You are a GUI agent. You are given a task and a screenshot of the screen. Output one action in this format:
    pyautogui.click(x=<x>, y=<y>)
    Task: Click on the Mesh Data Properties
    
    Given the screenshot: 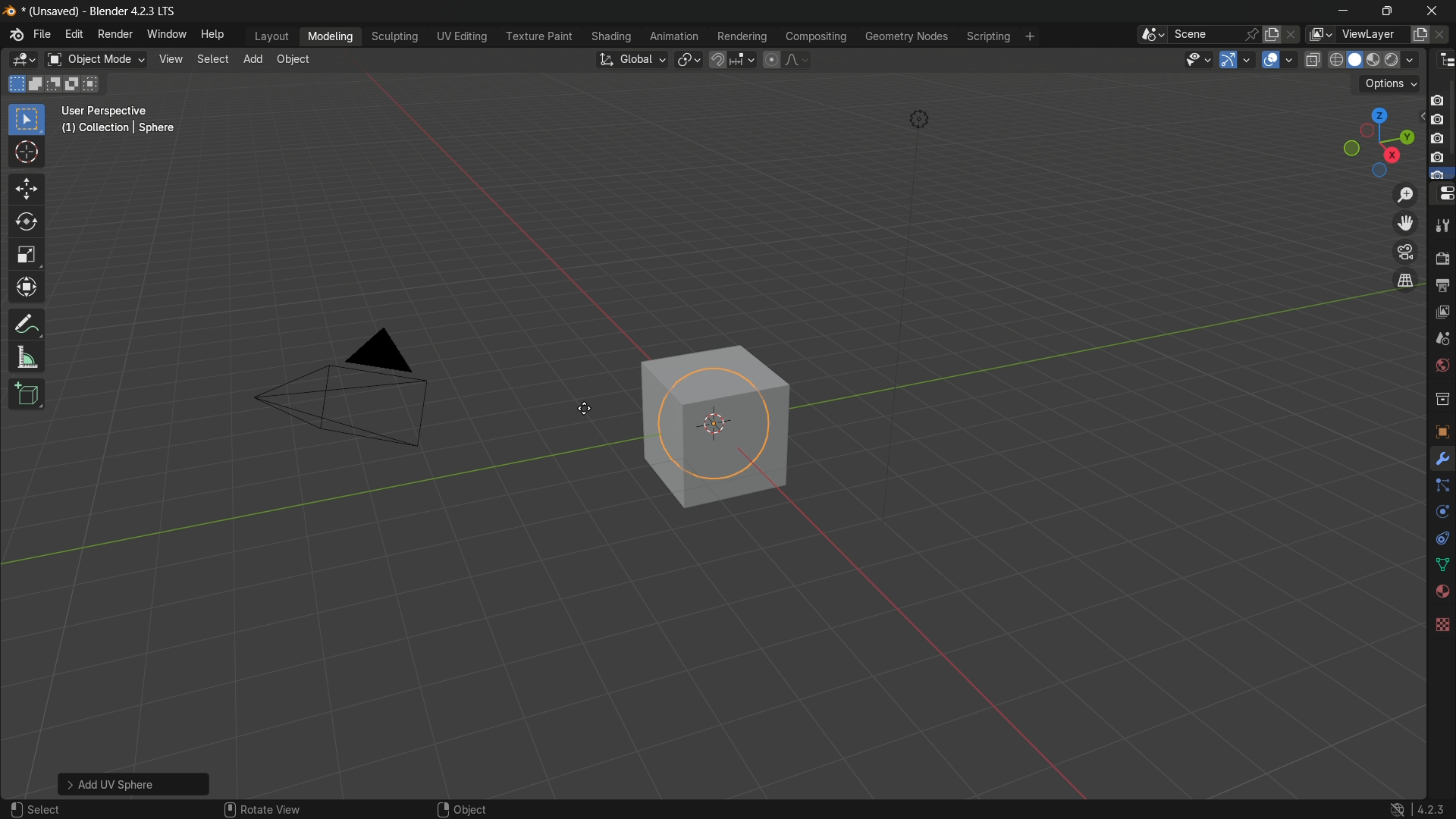 What is the action you would take?
    pyautogui.click(x=1439, y=563)
    